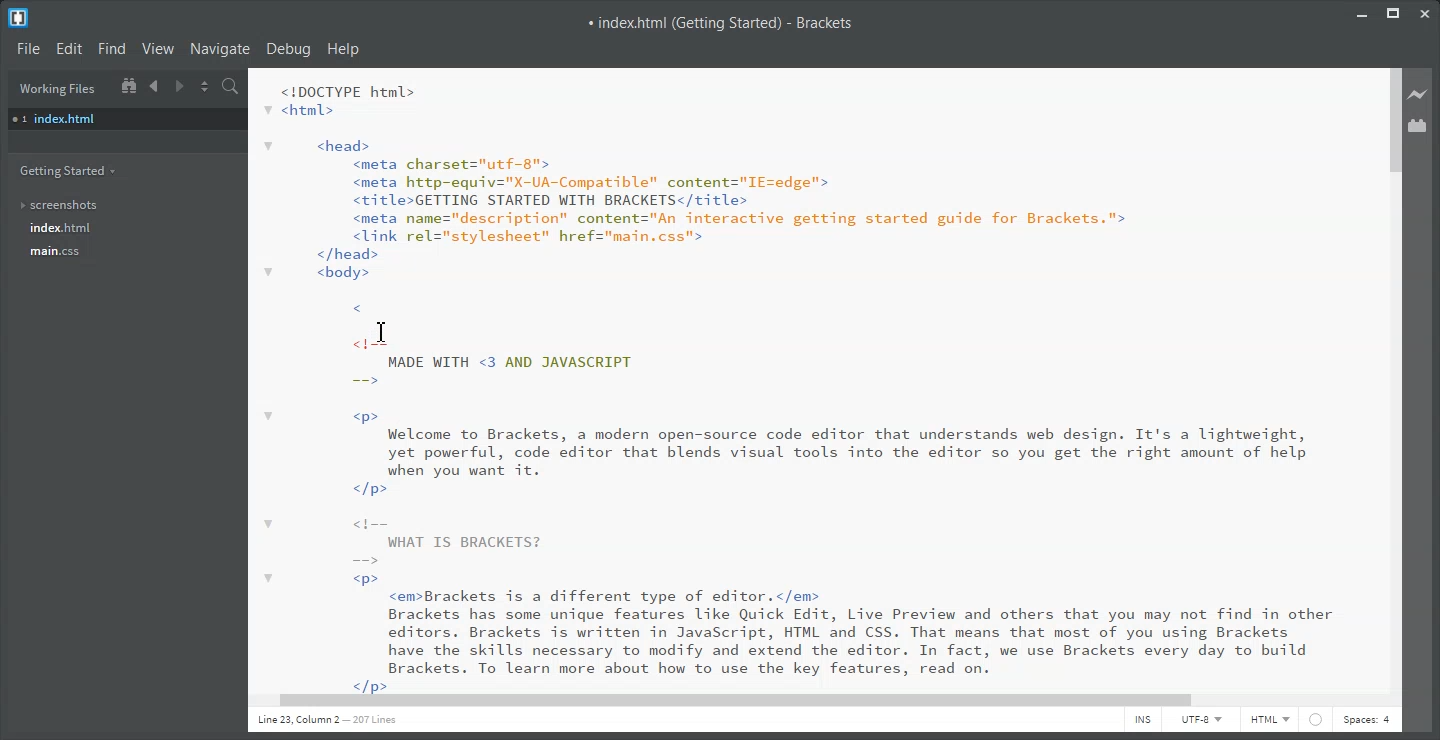 Image resolution: width=1440 pixels, height=740 pixels. What do you see at coordinates (62, 228) in the screenshot?
I see `index.html` at bounding box center [62, 228].